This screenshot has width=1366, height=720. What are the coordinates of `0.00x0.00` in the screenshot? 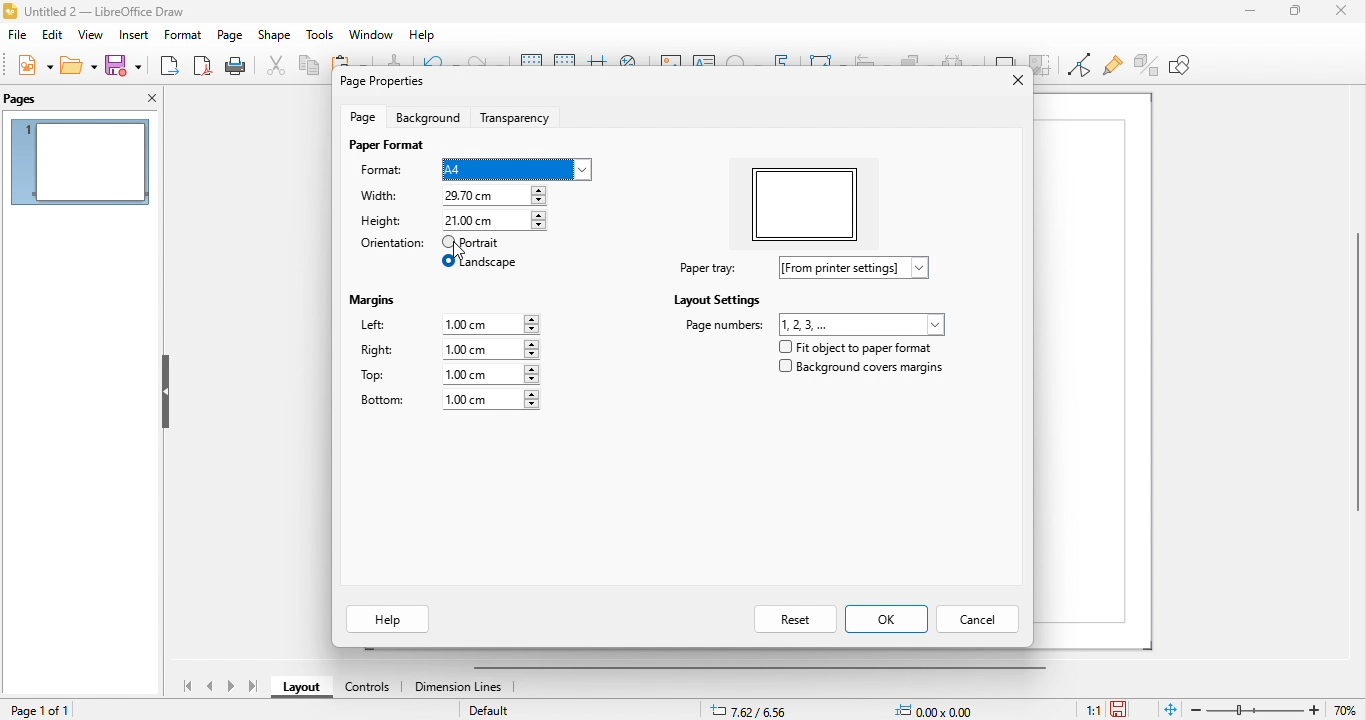 It's located at (940, 708).